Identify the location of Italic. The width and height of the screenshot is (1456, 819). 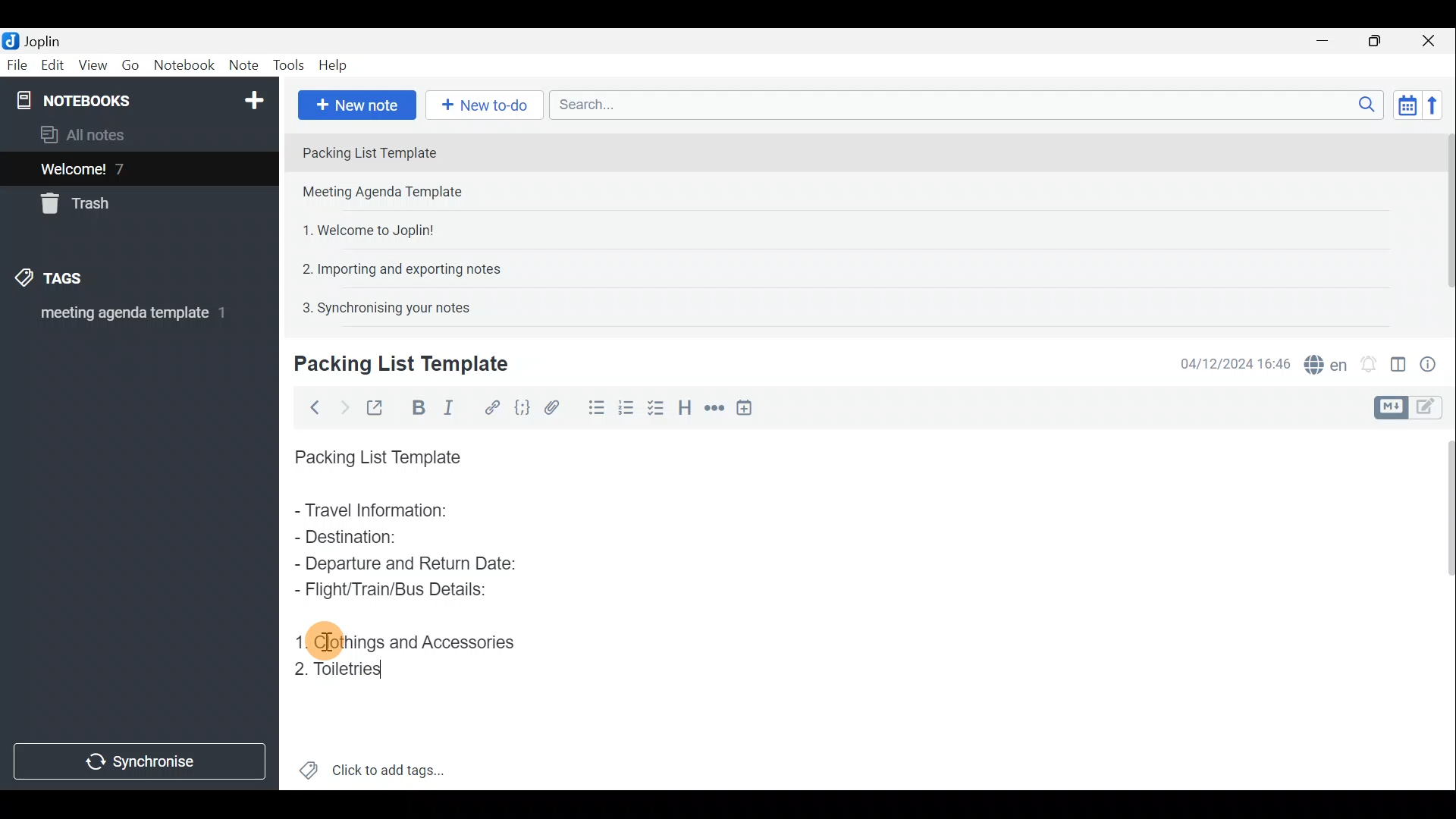
(454, 407).